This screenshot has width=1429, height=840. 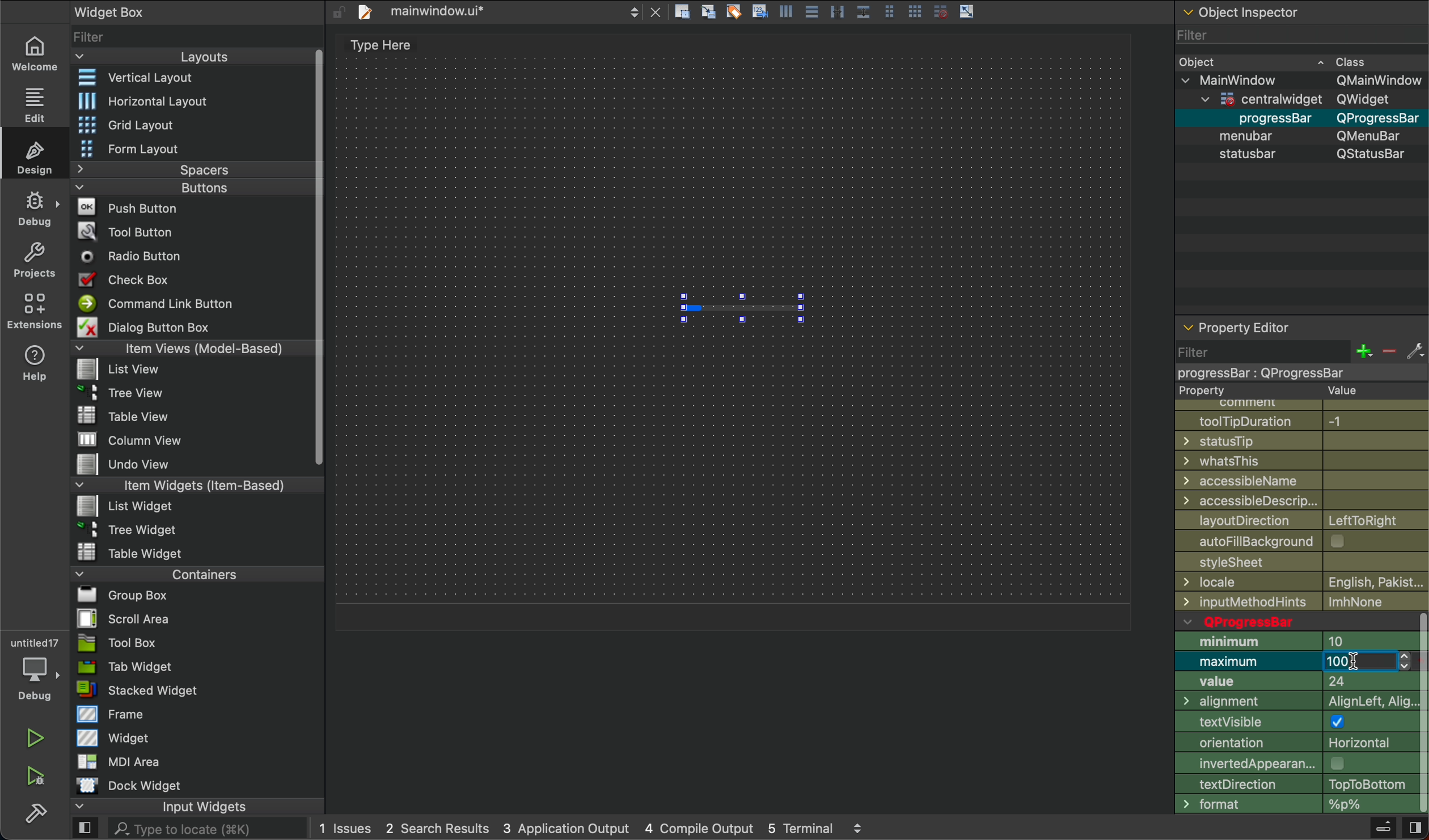 I want to click on Push Button, so click(x=132, y=206).